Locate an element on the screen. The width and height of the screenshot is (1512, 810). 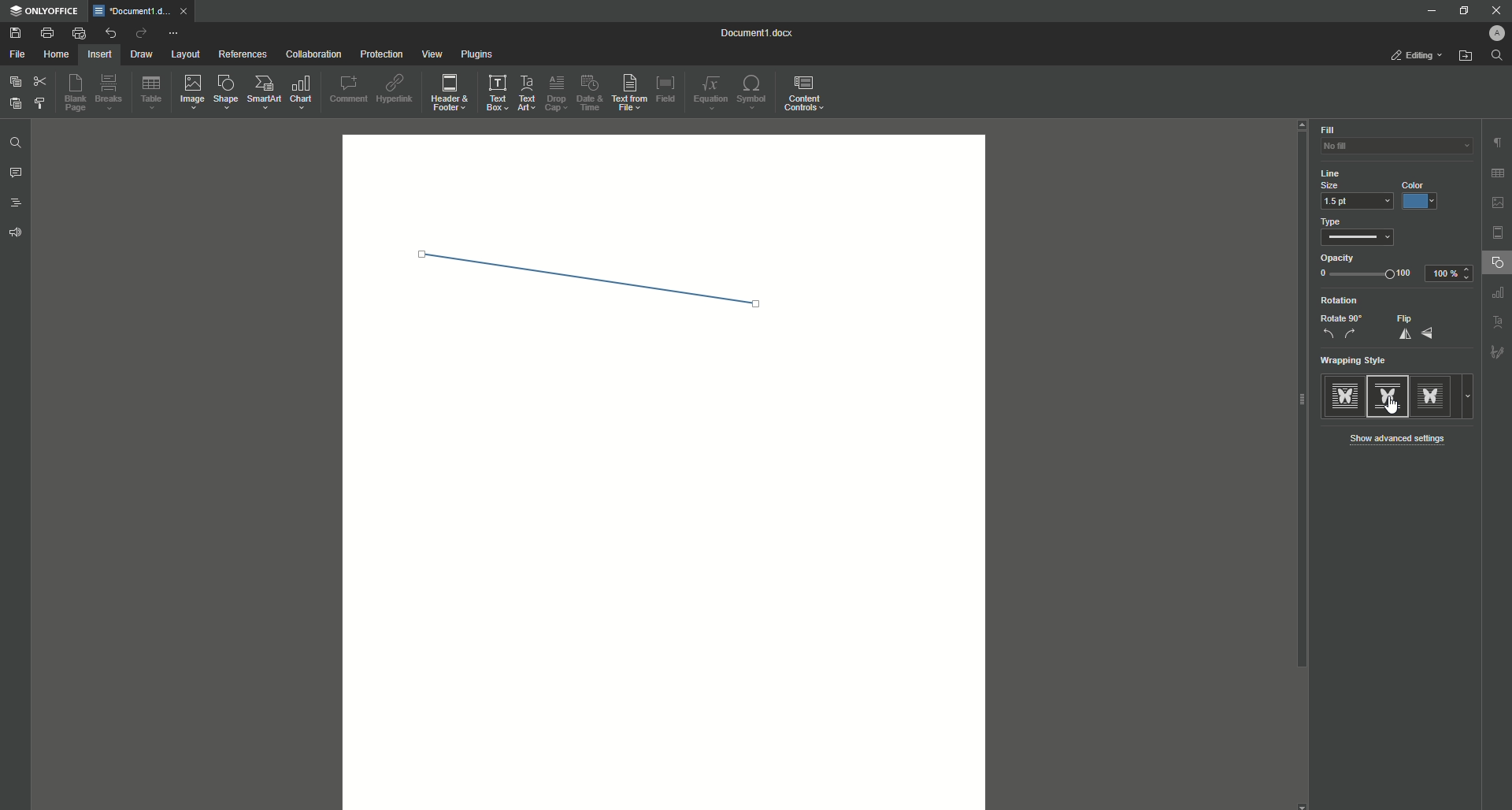
Layout is located at coordinates (184, 55).